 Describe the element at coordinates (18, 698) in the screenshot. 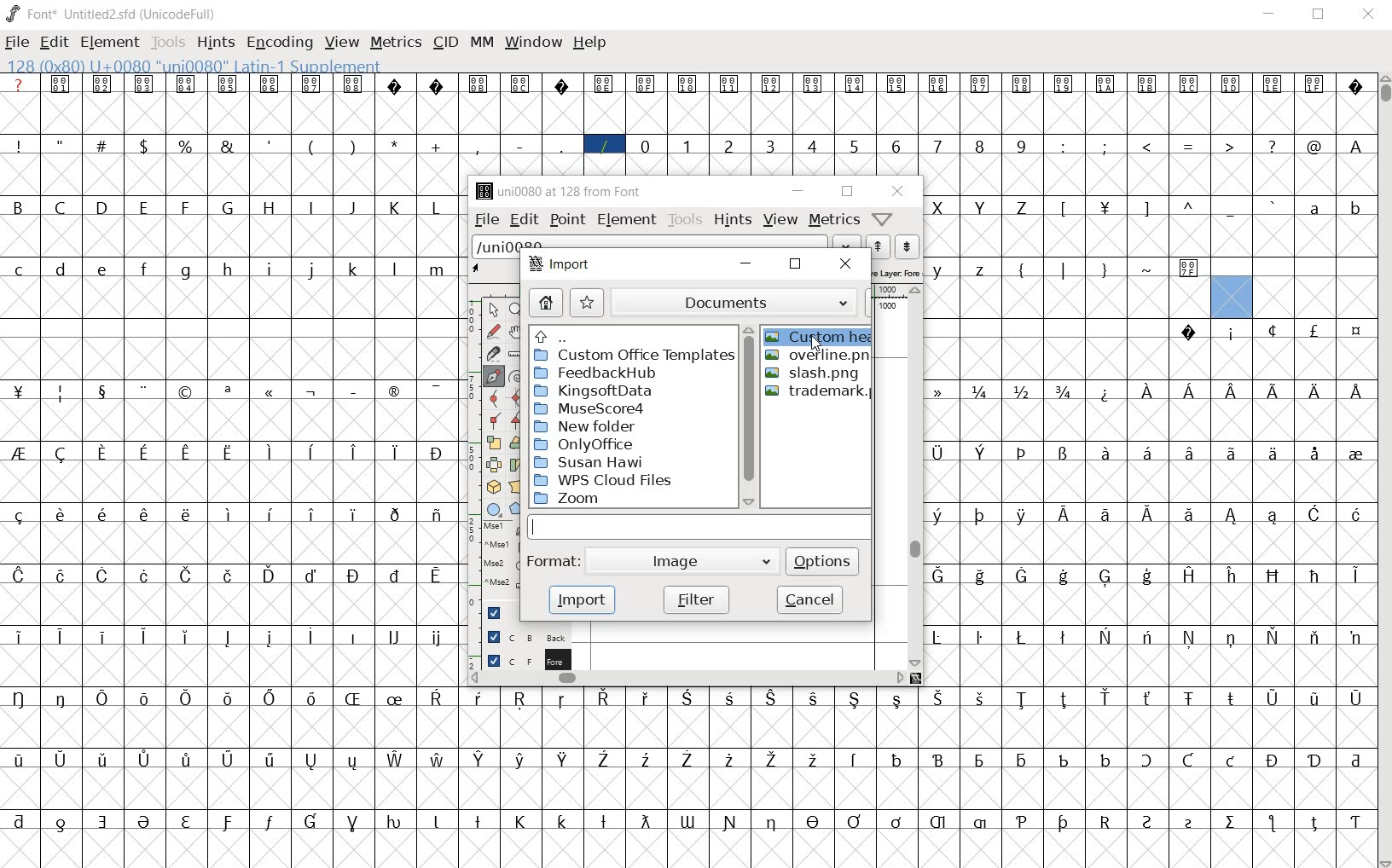

I see `glyph` at that location.